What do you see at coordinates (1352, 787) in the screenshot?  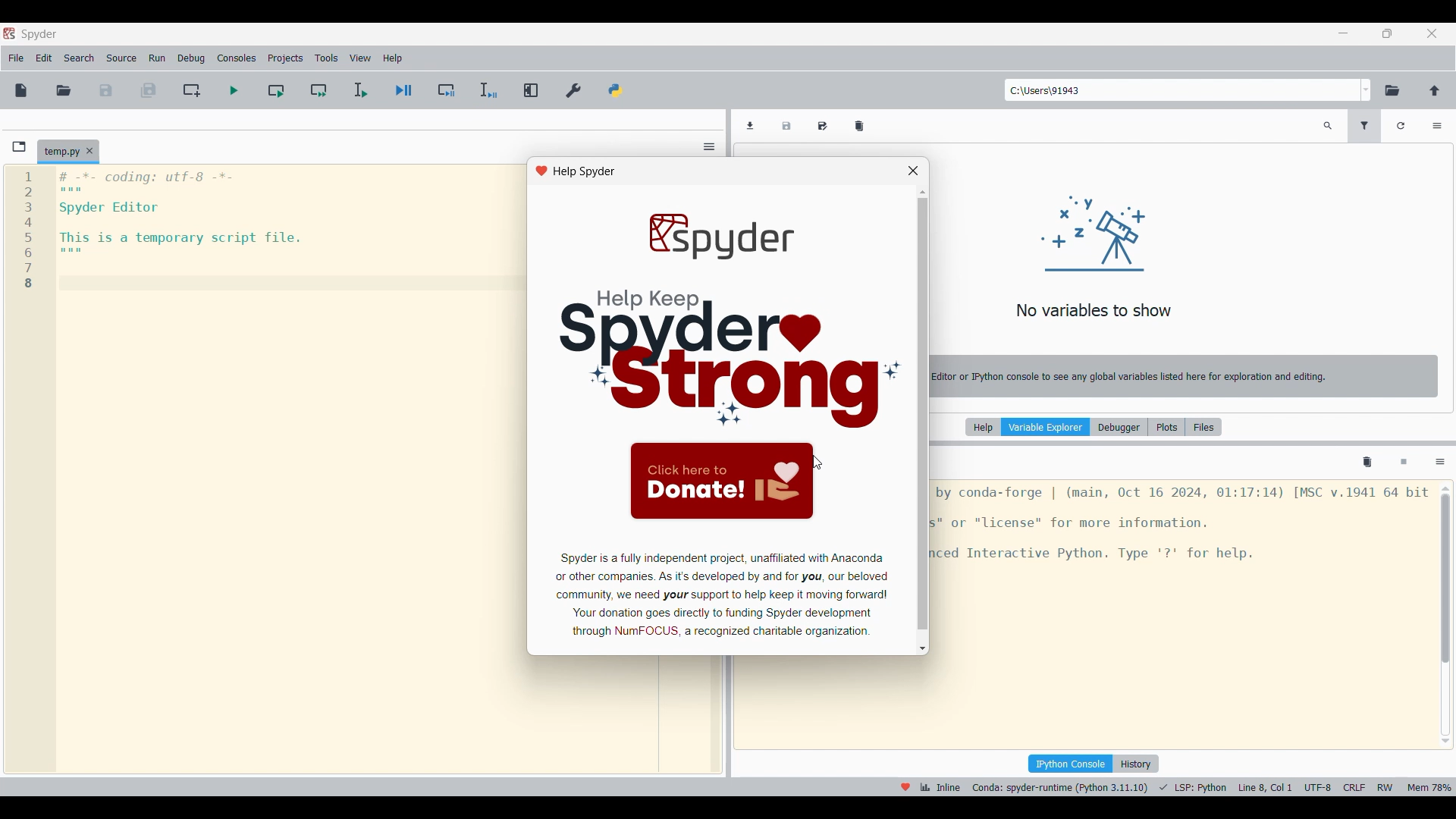 I see `crlf` at bounding box center [1352, 787].